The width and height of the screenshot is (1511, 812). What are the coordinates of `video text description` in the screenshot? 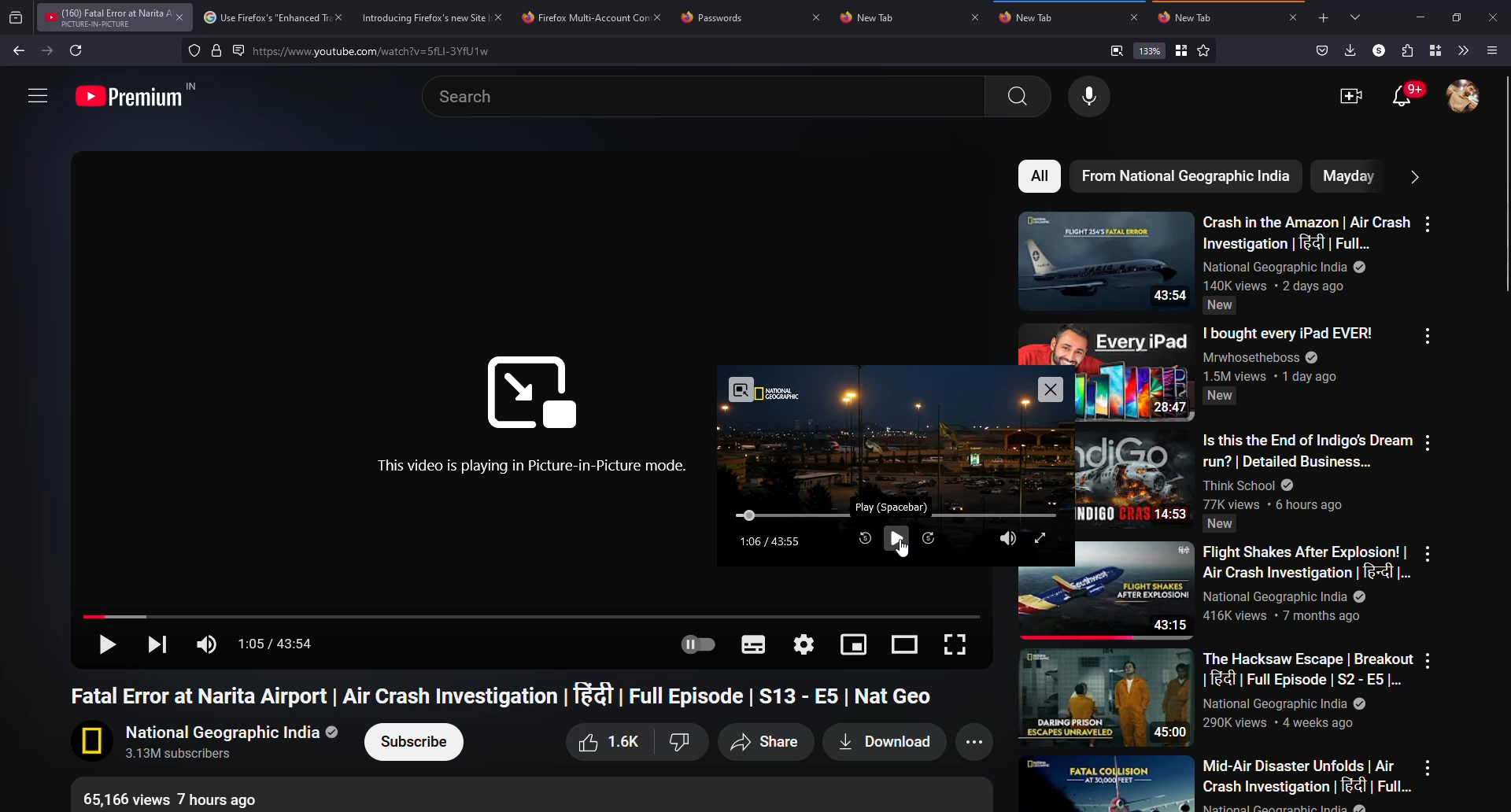 It's located at (1306, 251).